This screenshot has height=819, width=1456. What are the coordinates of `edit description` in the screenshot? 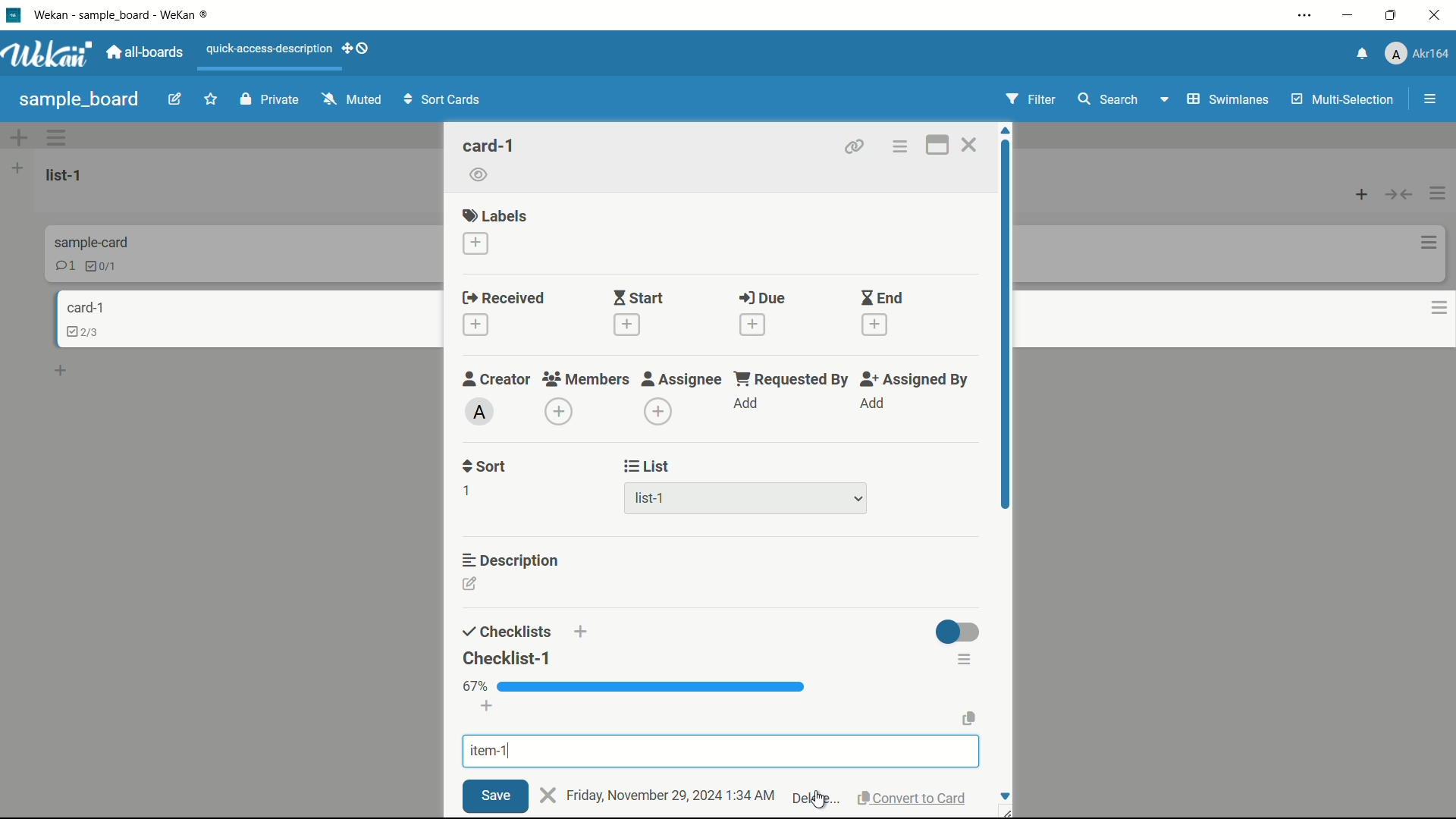 It's located at (469, 582).